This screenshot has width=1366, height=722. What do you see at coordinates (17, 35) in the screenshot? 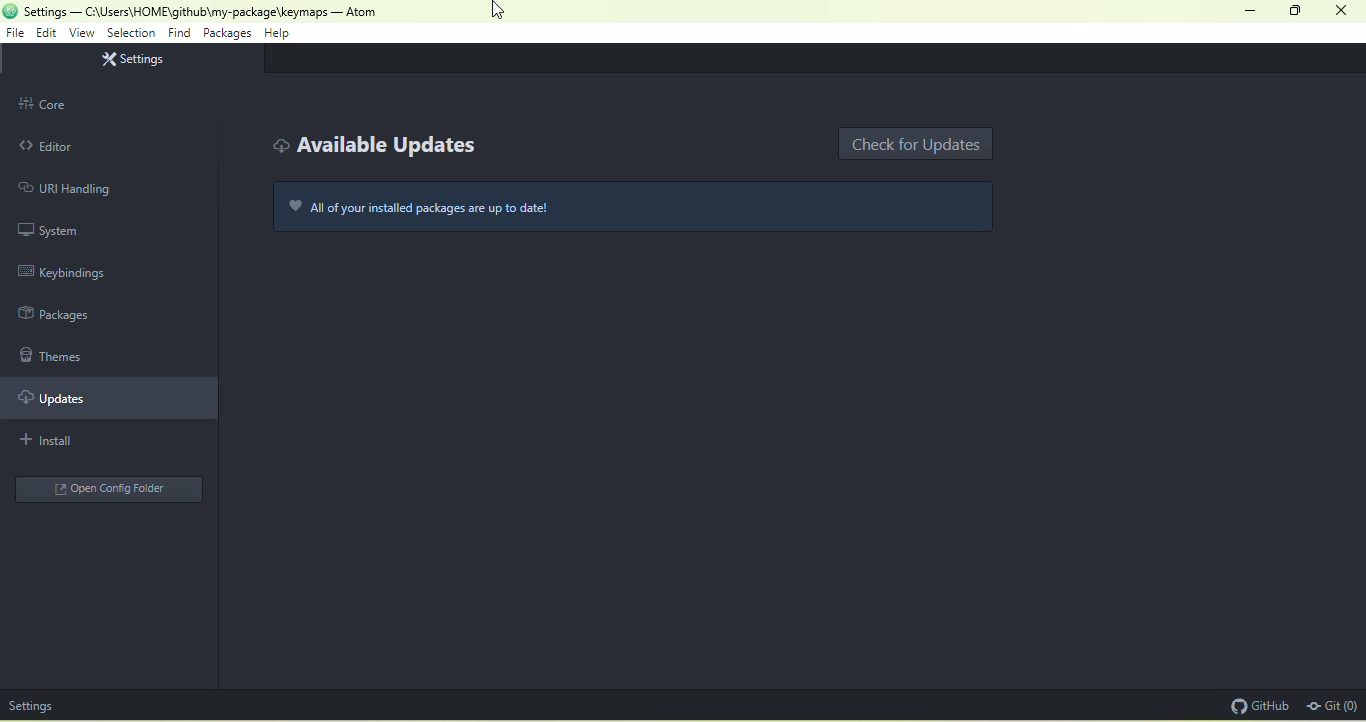
I see `file` at bounding box center [17, 35].